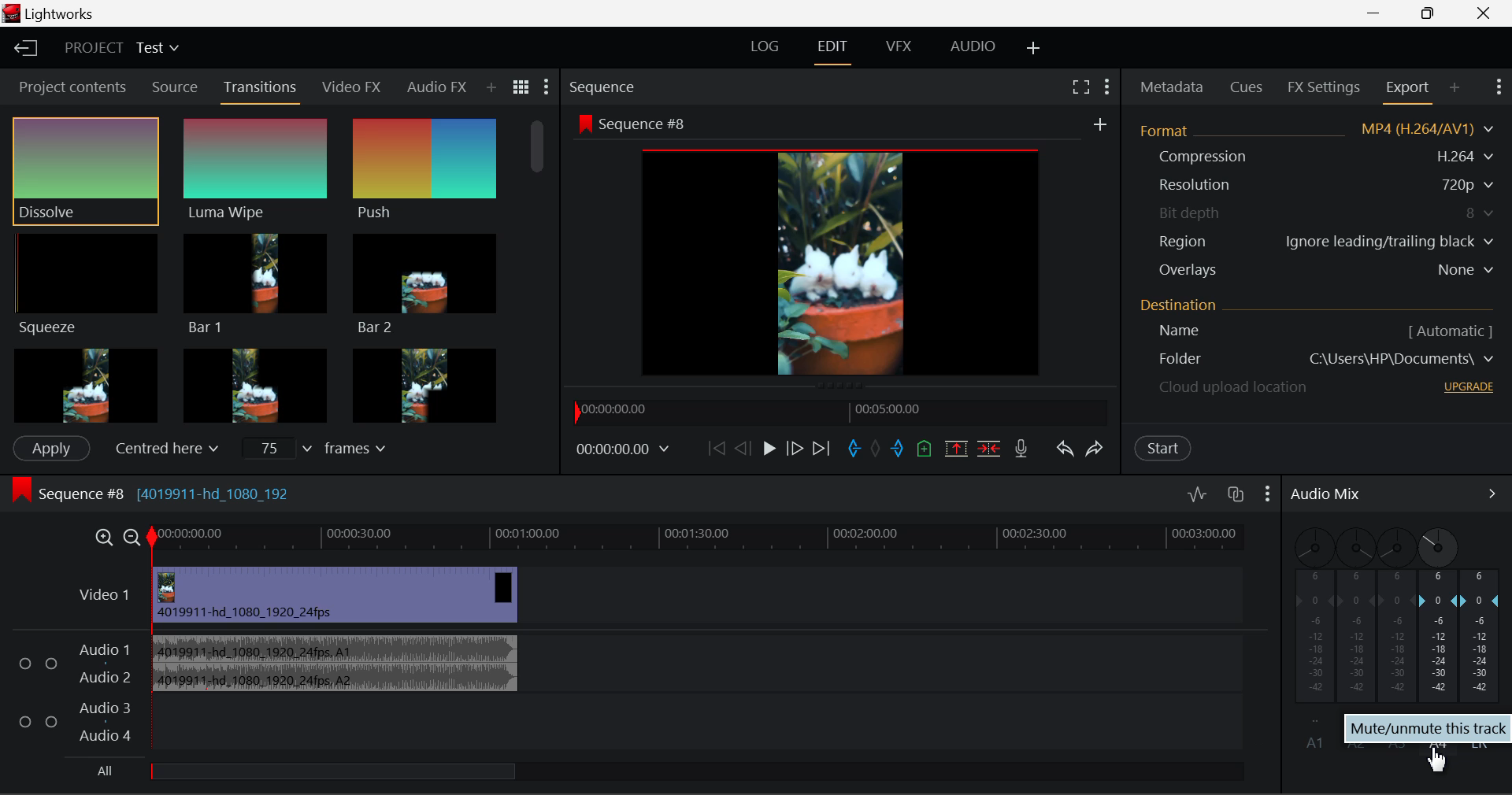  What do you see at coordinates (1397, 623) in the screenshot?
I see `A3 Disabled` at bounding box center [1397, 623].